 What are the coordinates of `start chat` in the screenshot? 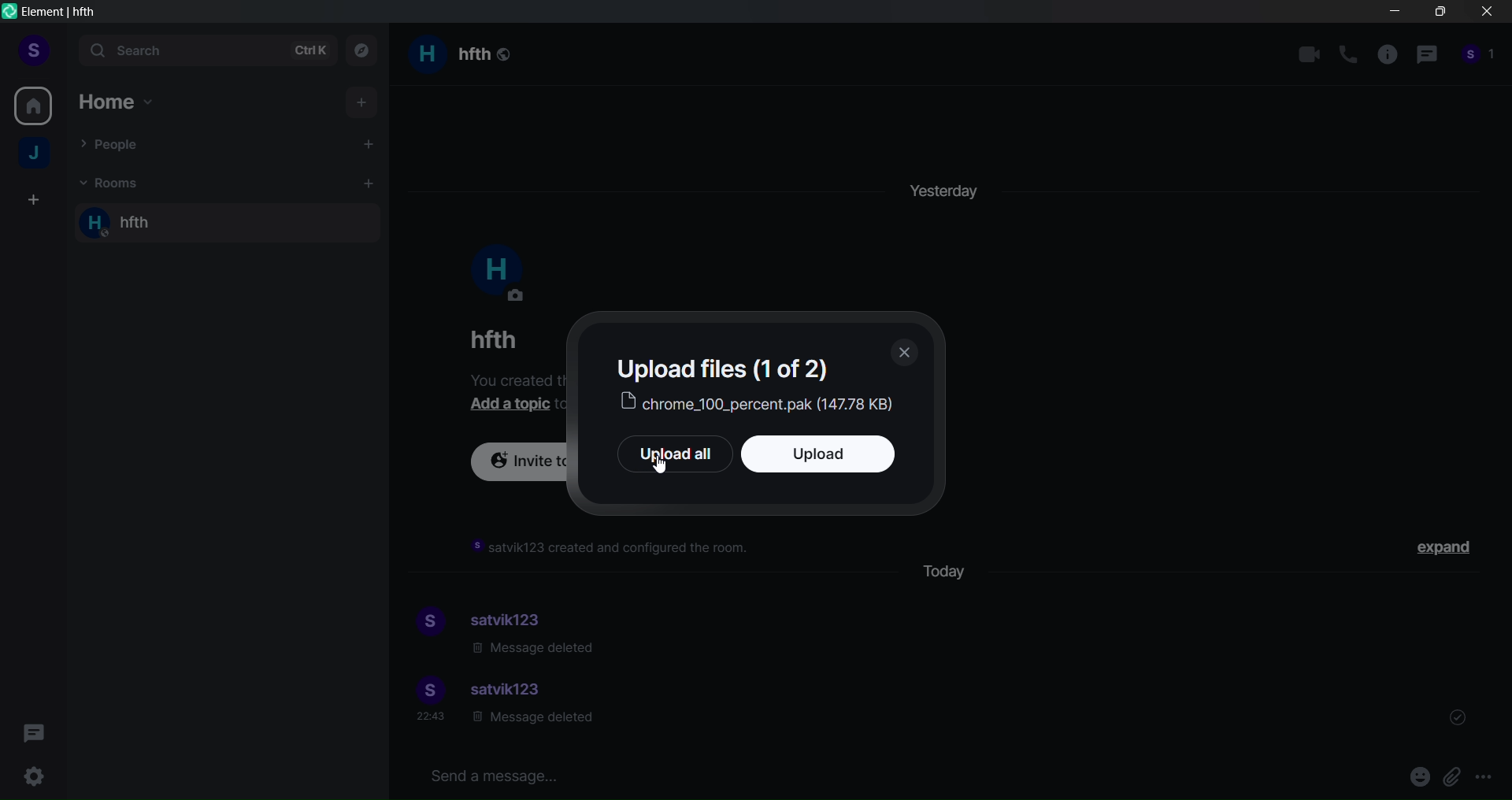 It's located at (365, 143).